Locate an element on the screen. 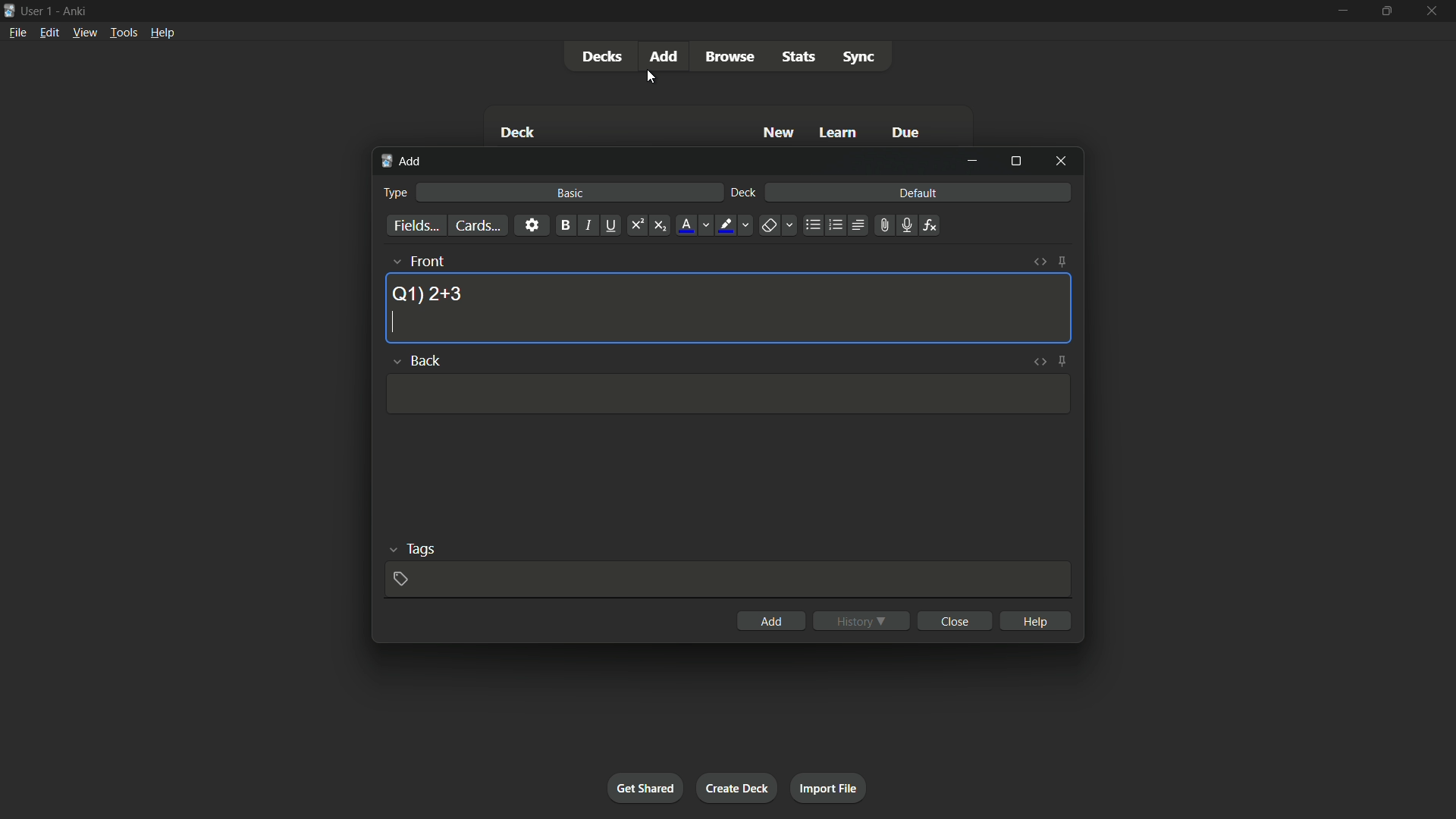  stats is located at coordinates (800, 57).